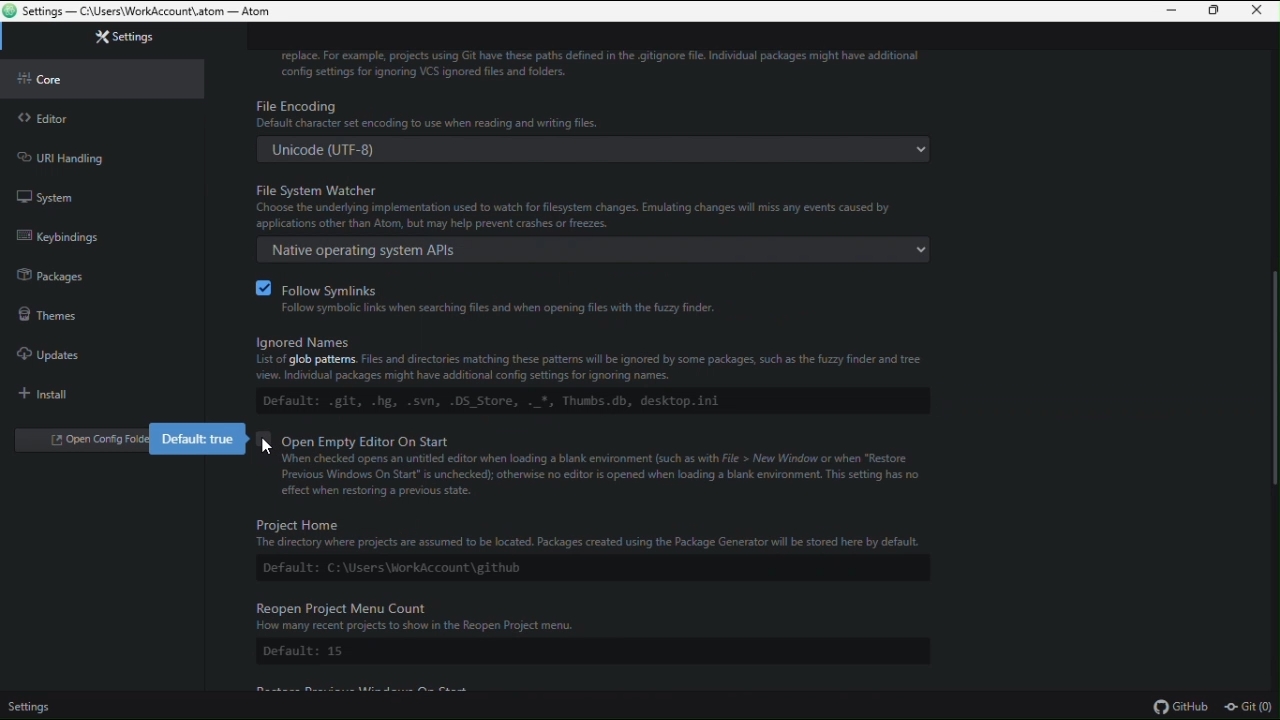 This screenshot has width=1280, height=720. I want to click on close, so click(1255, 11).